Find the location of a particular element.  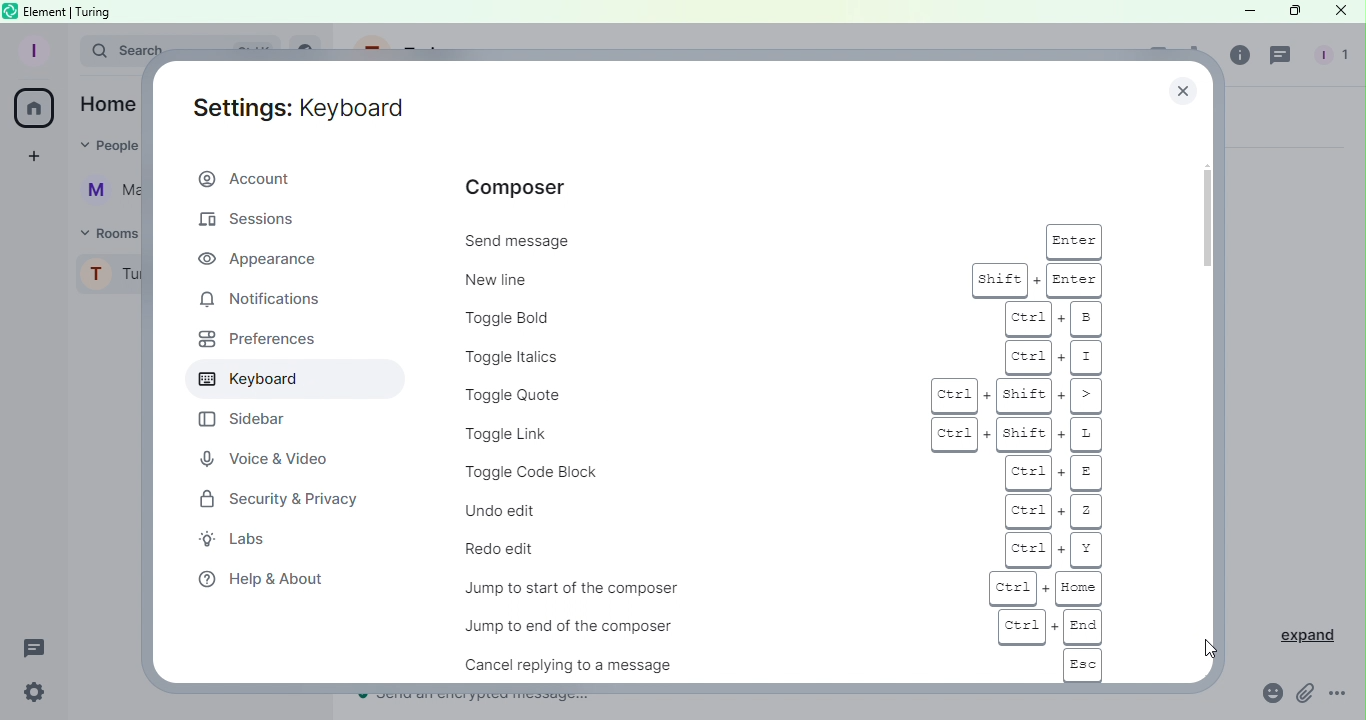

Composer is located at coordinates (693, 191).